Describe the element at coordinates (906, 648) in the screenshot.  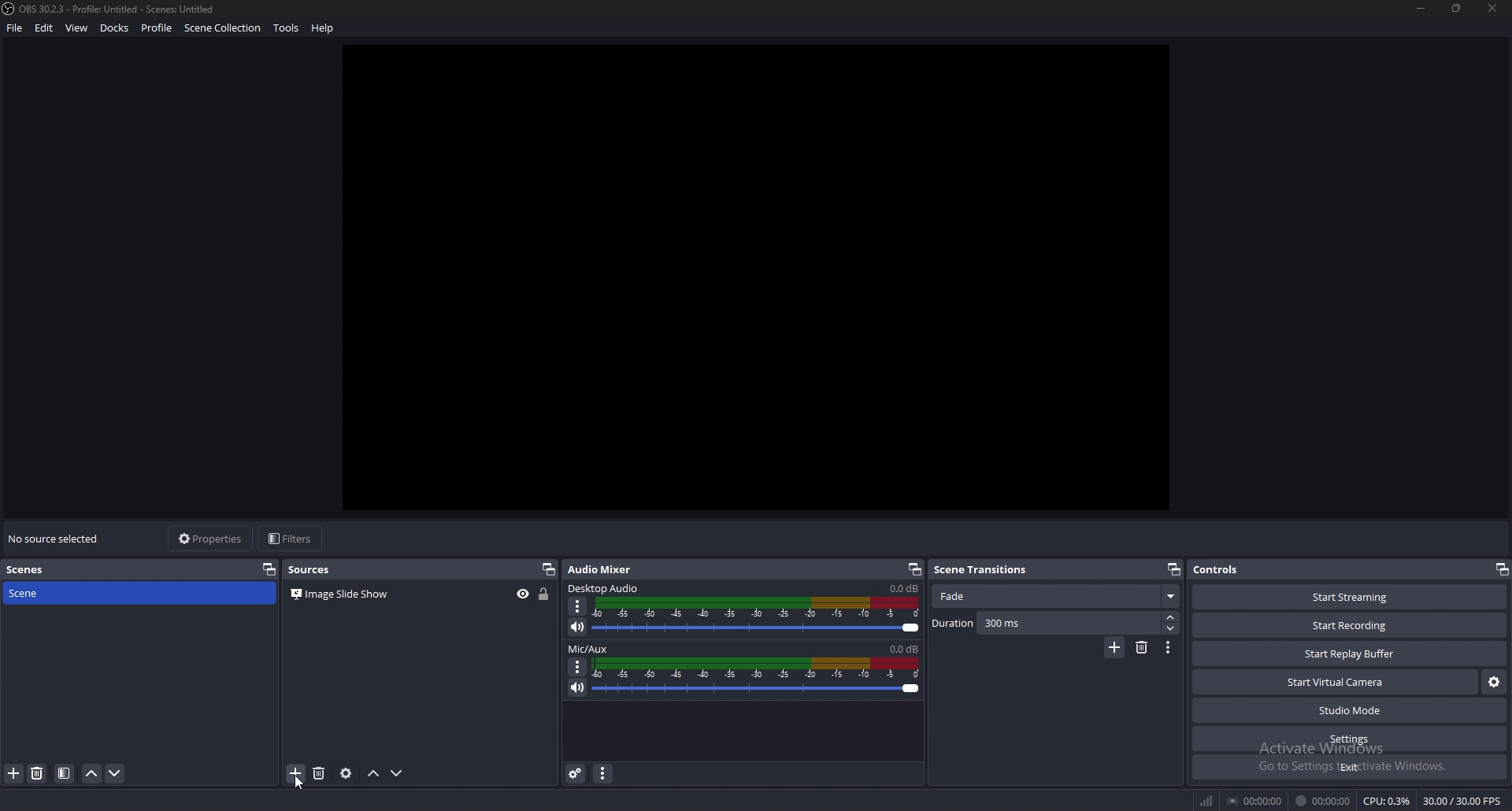
I see `volume level` at that location.